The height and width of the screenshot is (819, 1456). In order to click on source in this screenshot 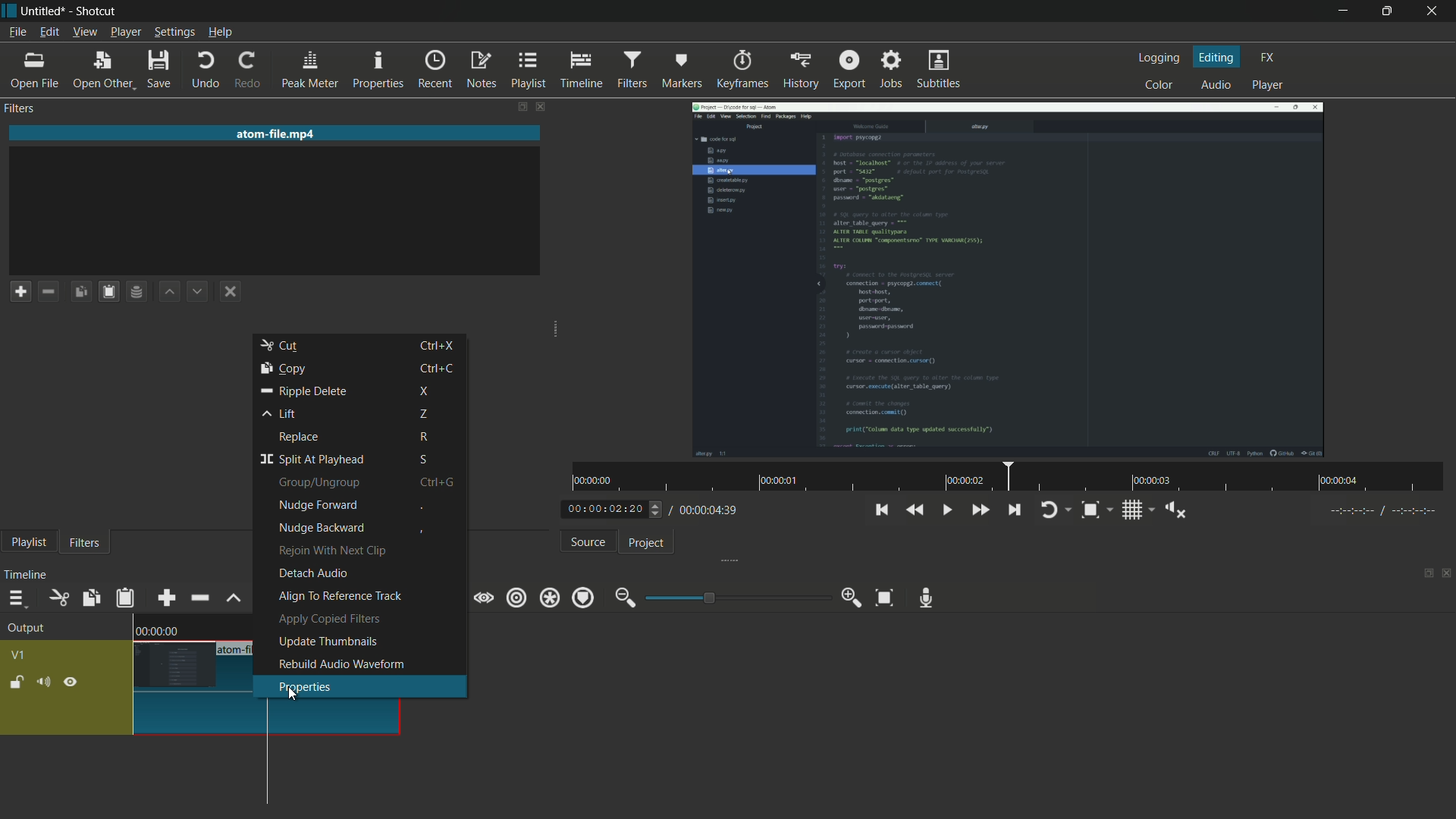, I will do `click(589, 544)`.